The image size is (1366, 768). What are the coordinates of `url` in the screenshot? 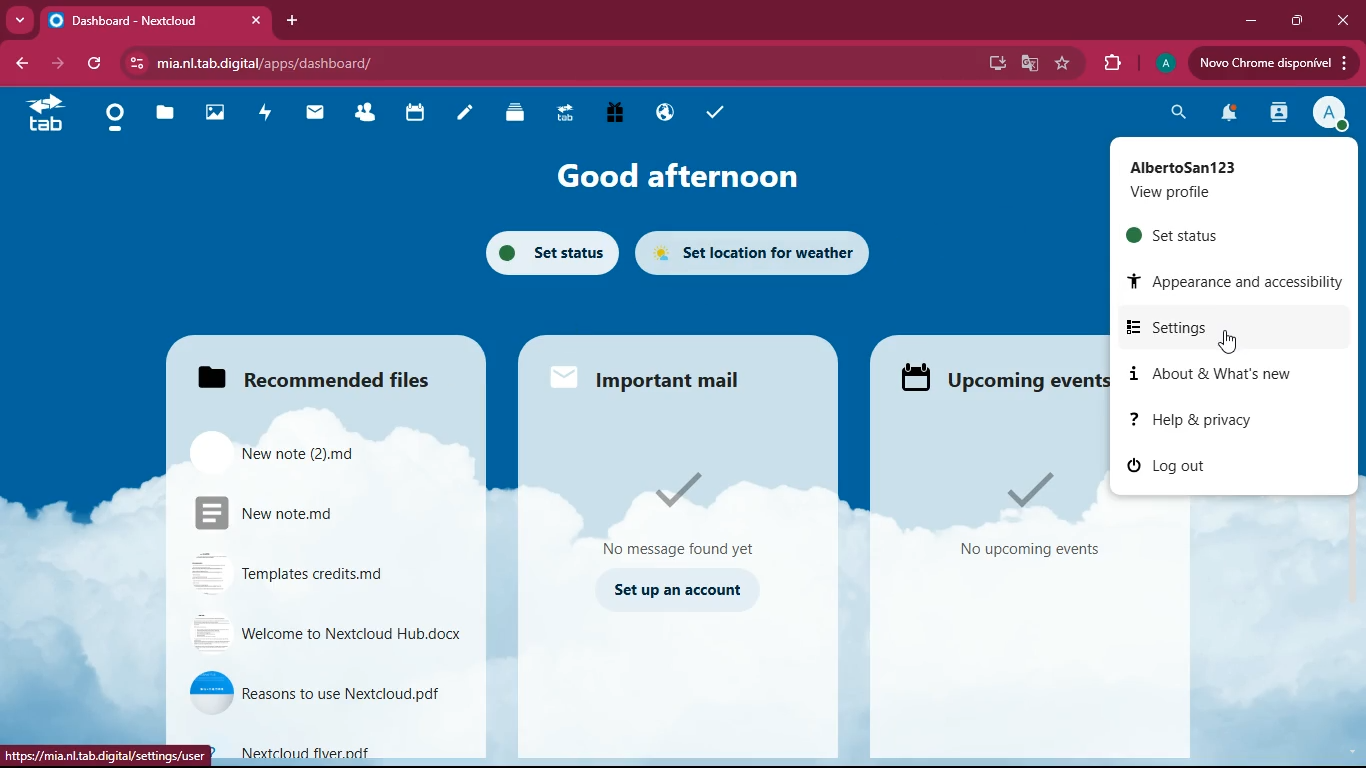 It's located at (349, 63).